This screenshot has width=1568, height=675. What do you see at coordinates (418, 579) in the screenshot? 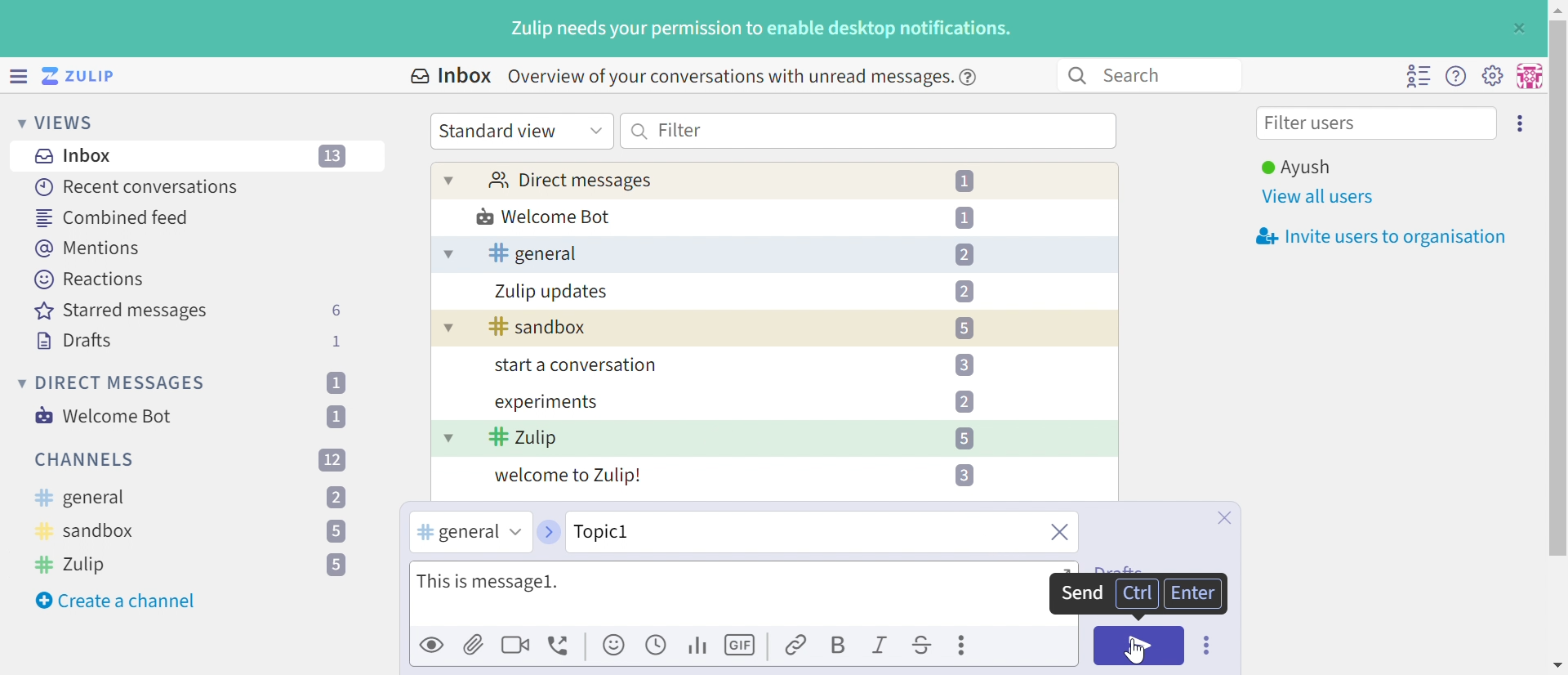
I see `Typing cursor` at bounding box center [418, 579].